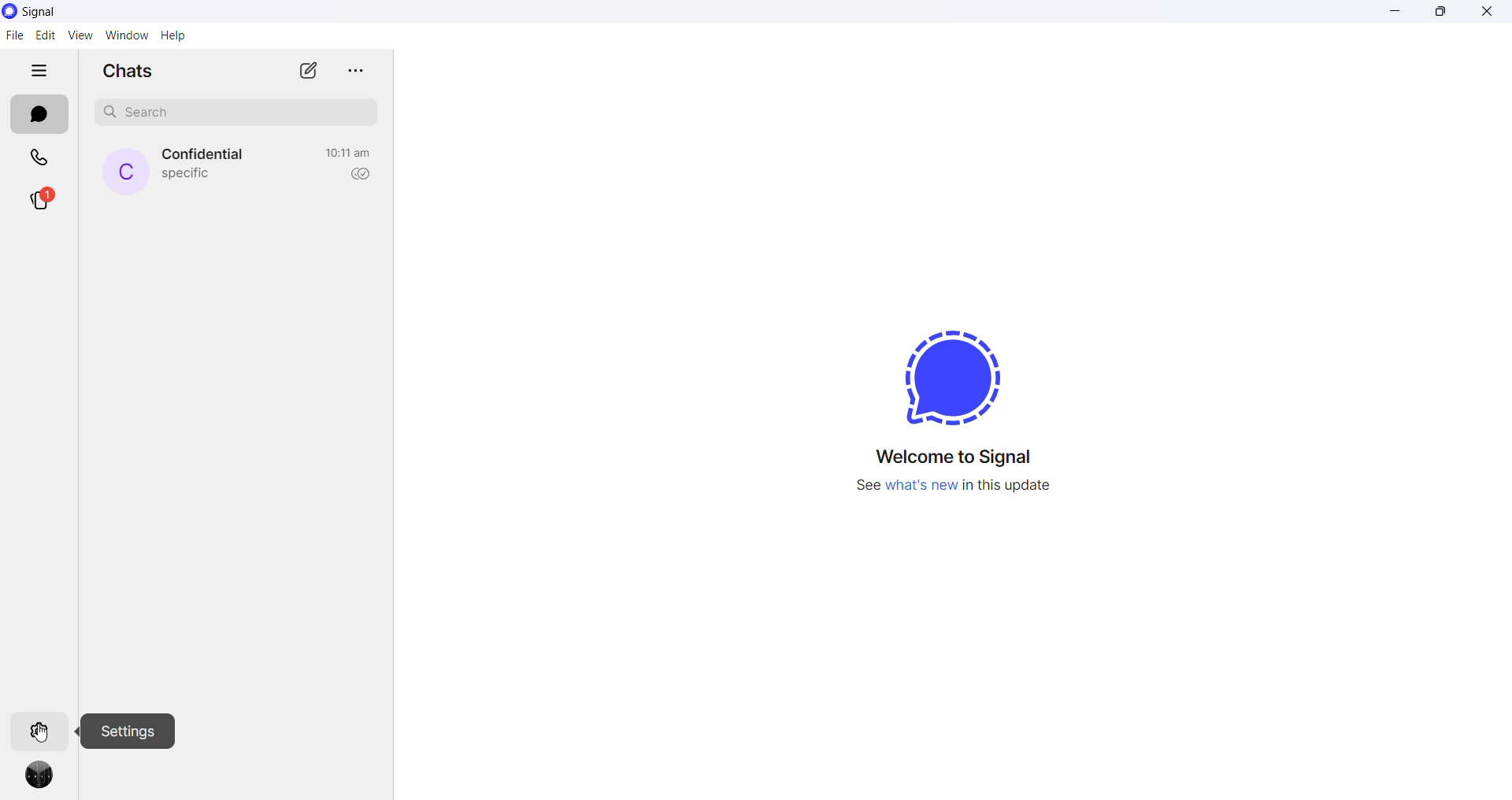 This screenshot has height=800, width=1512. Describe the element at coordinates (951, 373) in the screenshot. I see `signal logo` at that location.